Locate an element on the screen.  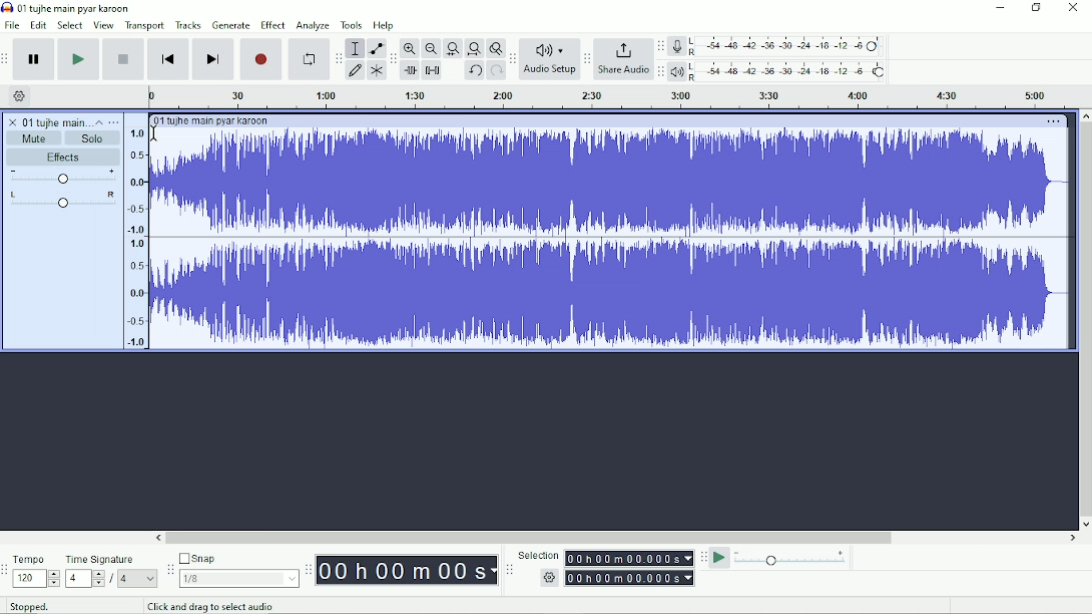
Audacity share audio toolbar is located at coordinates (587, 58).